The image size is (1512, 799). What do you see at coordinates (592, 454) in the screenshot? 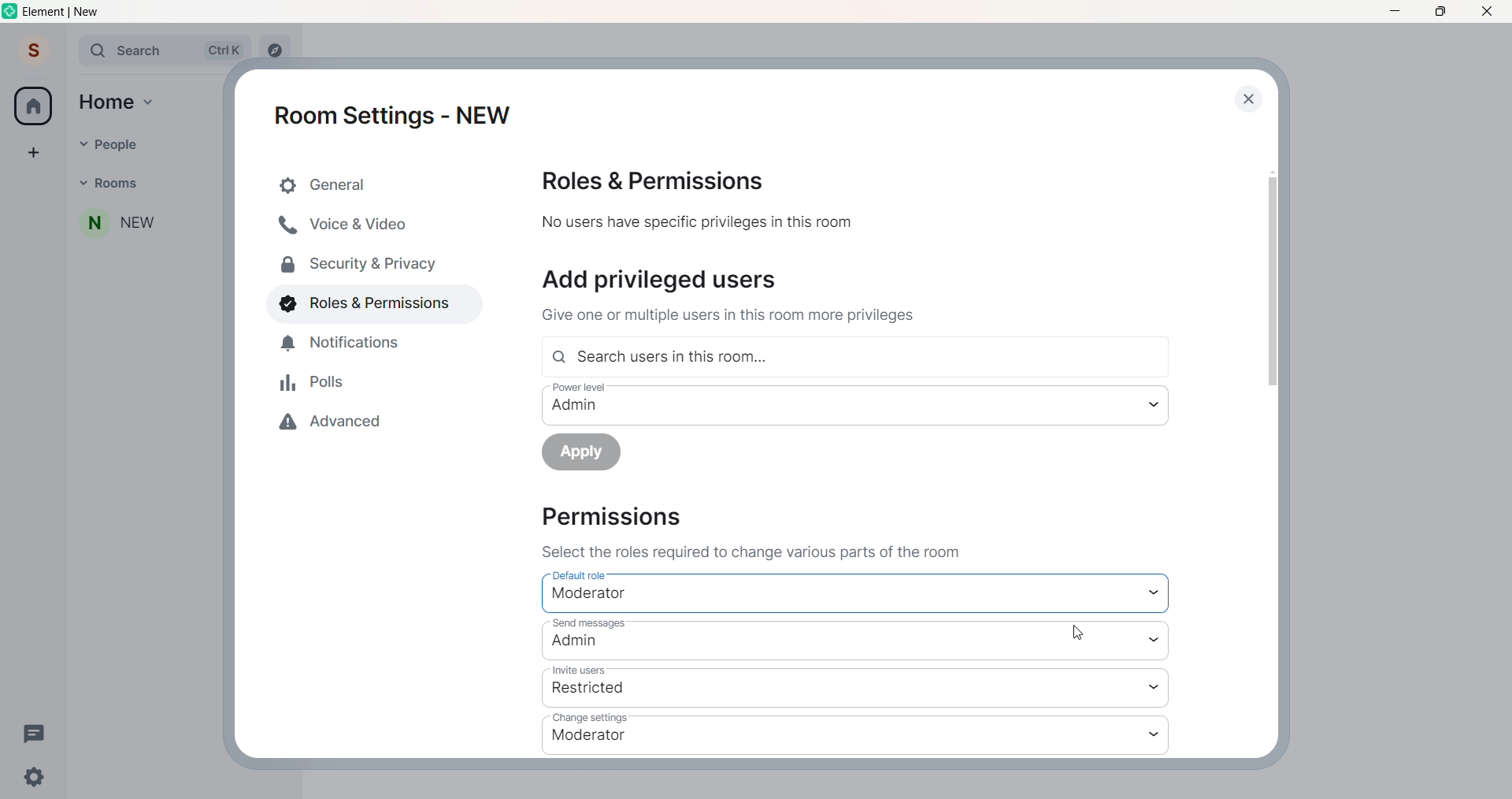
I see `apply` at bounding box center [592, 454].